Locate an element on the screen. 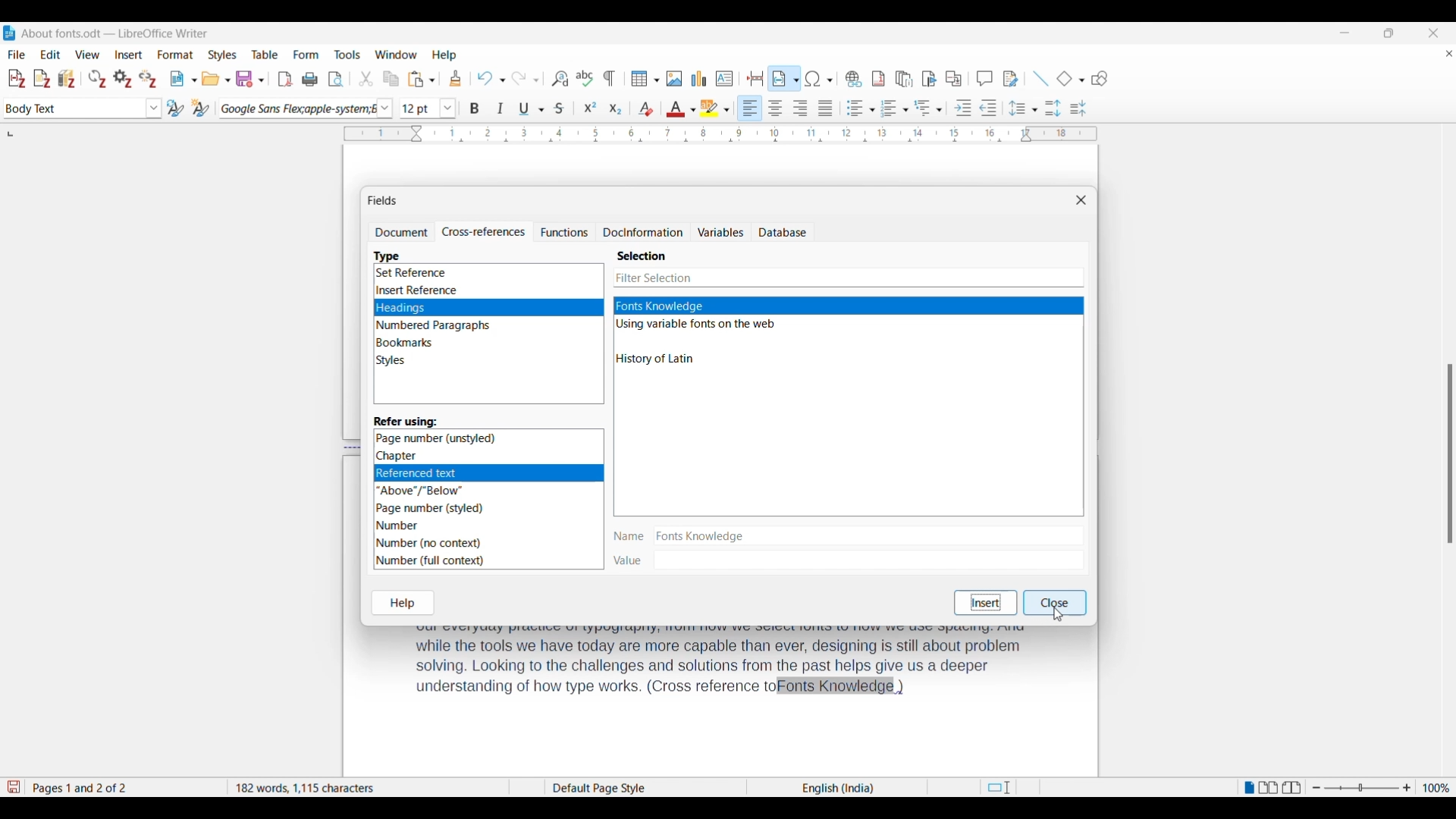  Format menu is located at coordinates (175, 55).